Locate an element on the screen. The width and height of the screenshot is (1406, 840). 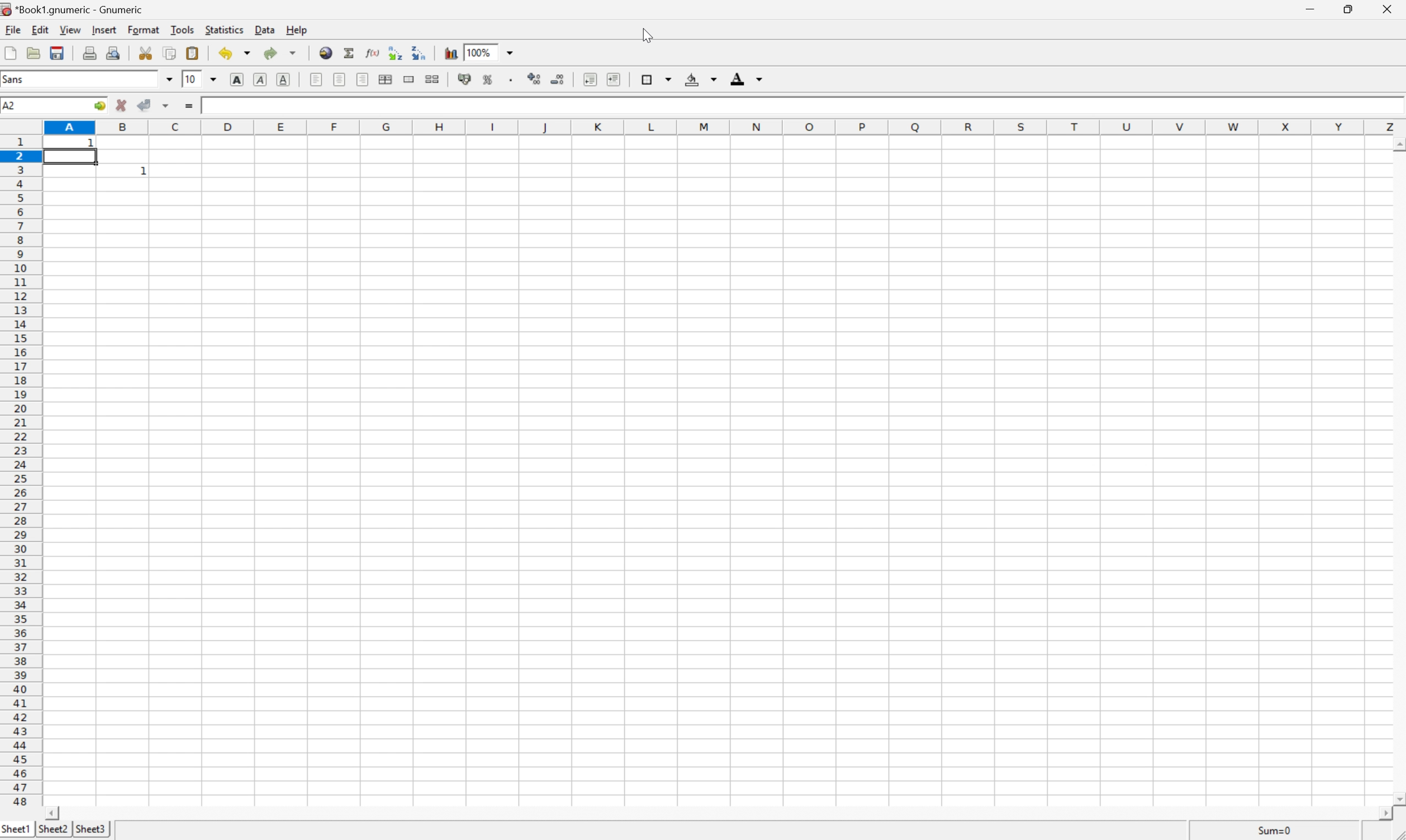
edit is located at coordinates (41, 31).